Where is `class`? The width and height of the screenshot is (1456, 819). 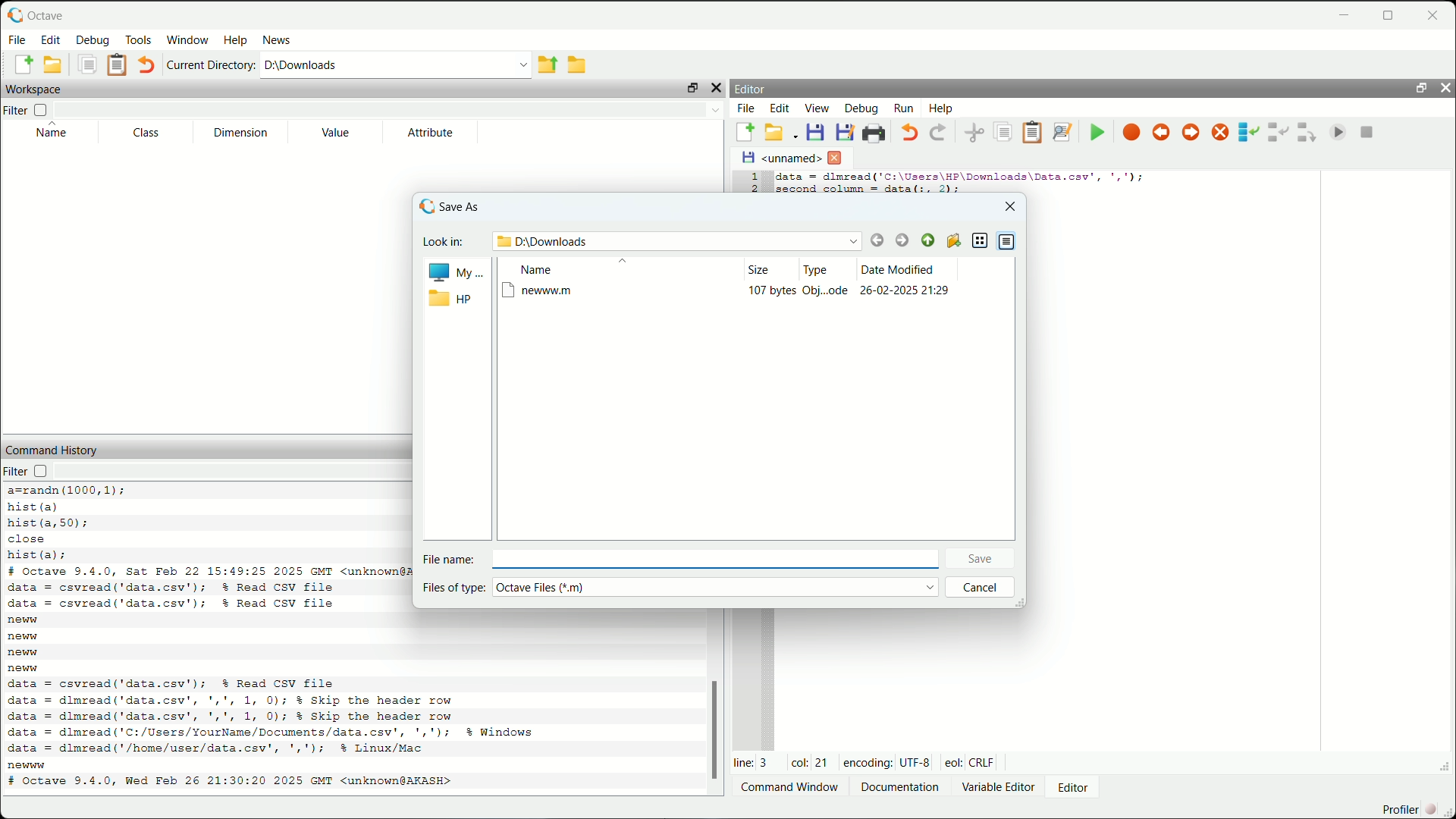
class is located at coordinates (145, 134).